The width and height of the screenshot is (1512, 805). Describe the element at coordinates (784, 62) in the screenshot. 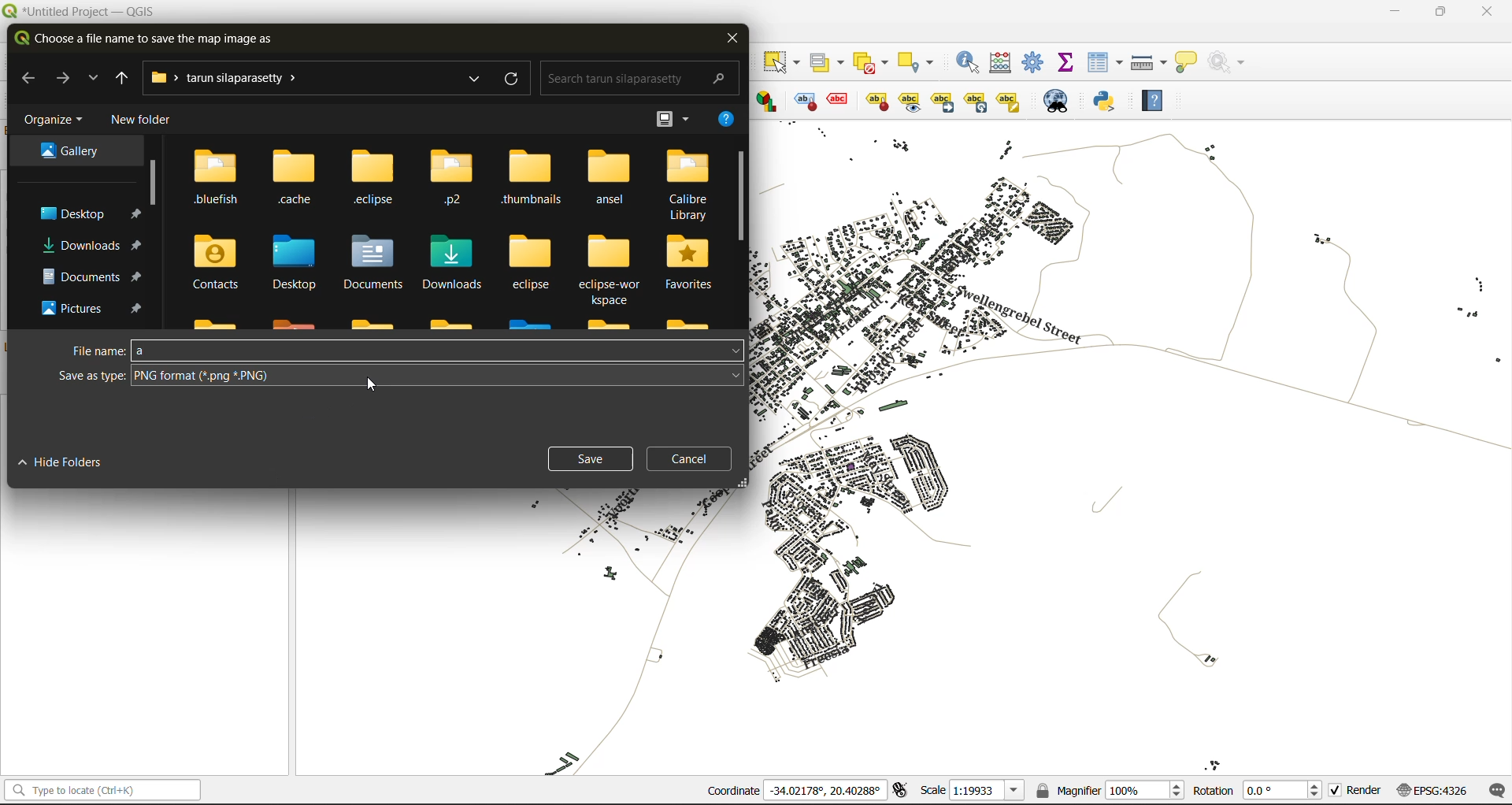

I see `select` at that location.